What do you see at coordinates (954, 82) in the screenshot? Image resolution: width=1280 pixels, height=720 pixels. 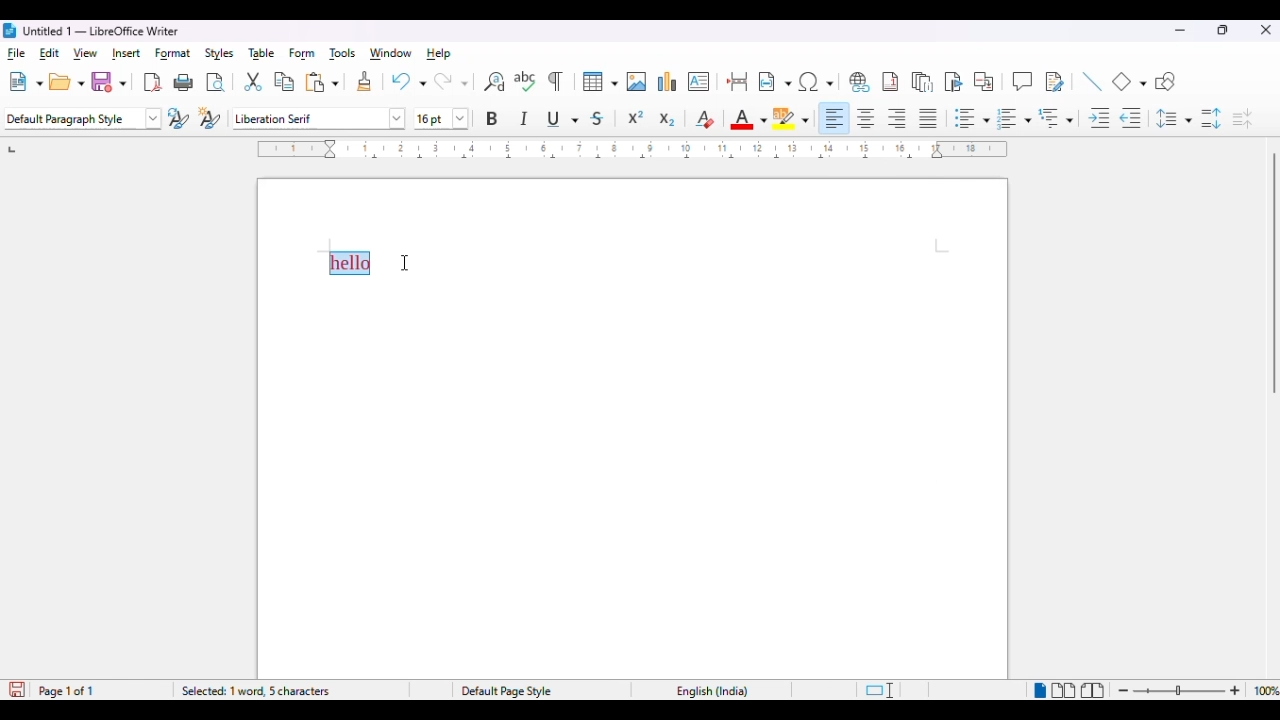 I see `insert bookmark` at bounding box center [954, 82].